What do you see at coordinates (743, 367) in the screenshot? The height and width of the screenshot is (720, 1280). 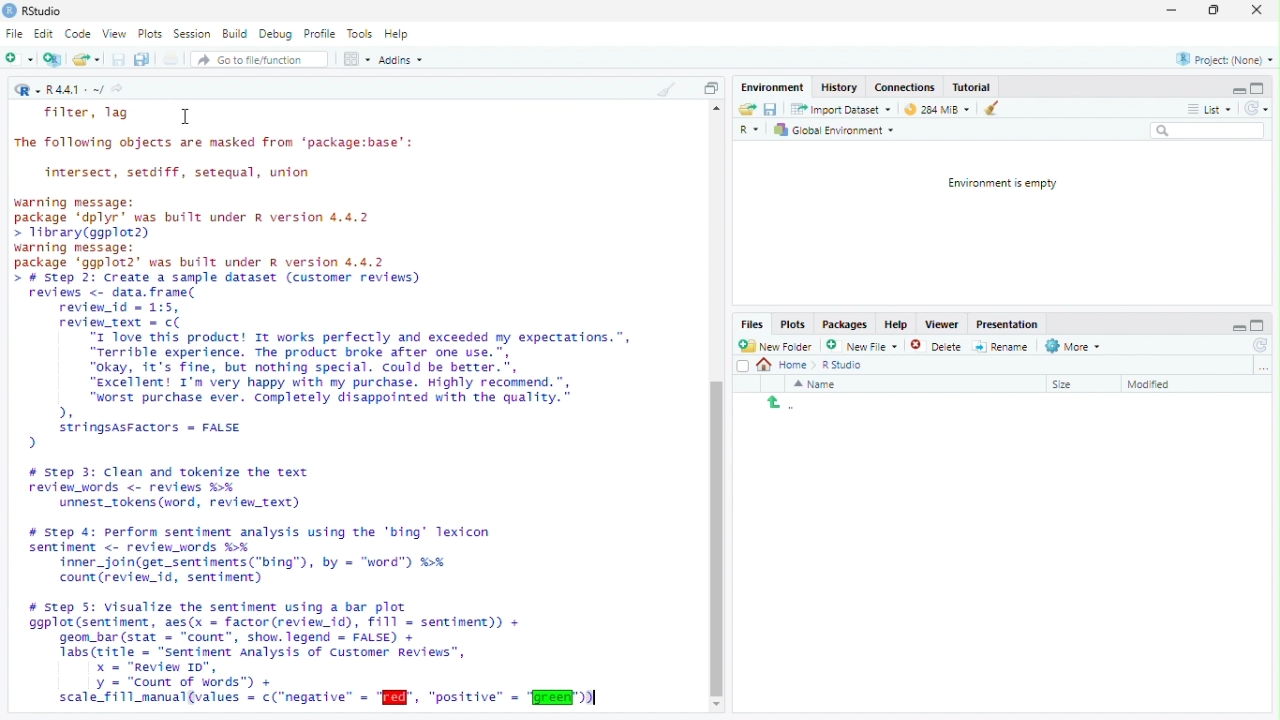 I see `Checkbox` at bounding box center [743, 367].